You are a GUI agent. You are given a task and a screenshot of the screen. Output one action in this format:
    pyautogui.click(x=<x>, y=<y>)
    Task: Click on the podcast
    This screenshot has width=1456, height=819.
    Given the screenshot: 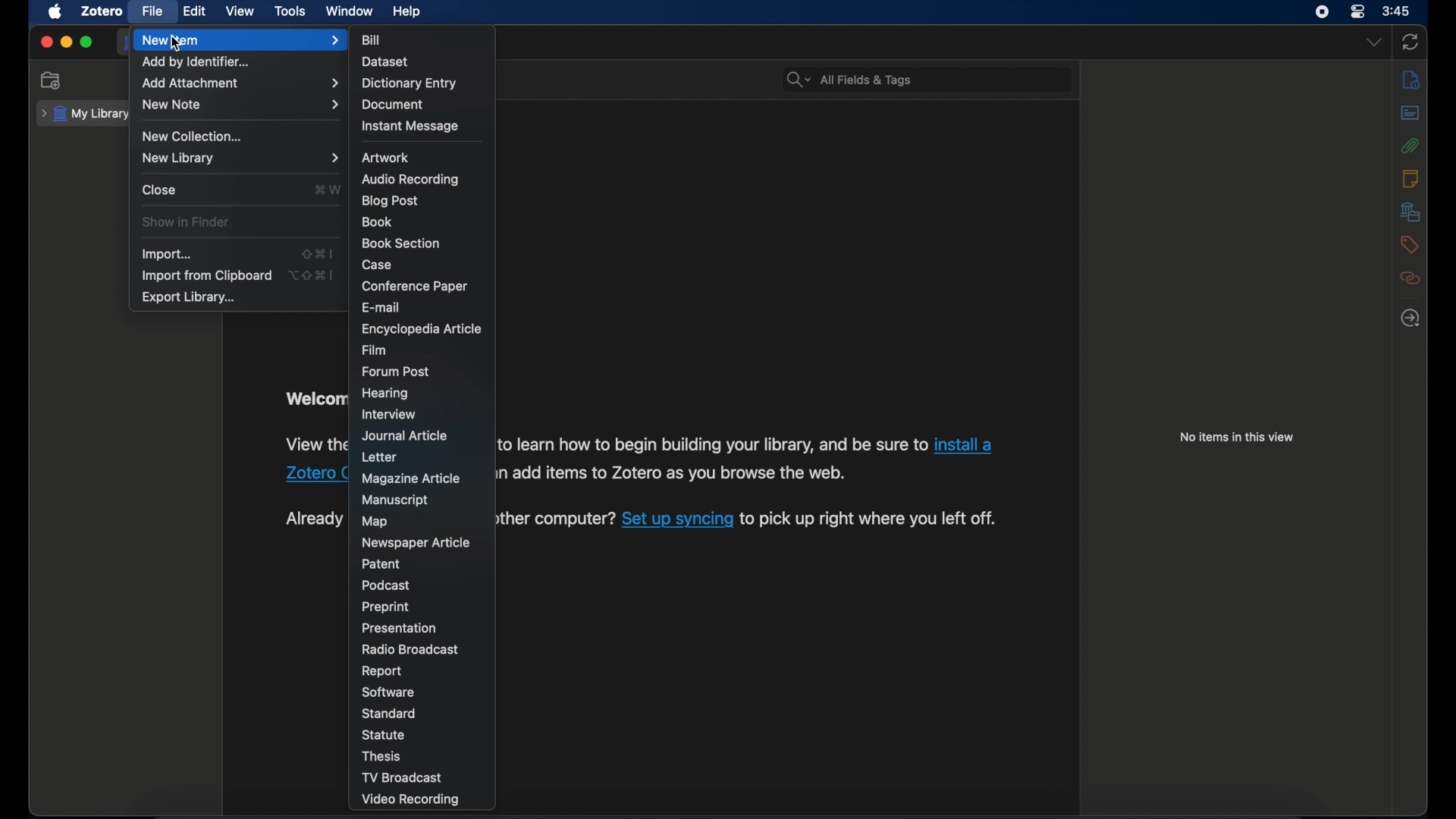 What is the action you would take?
    pyautogui.click(x=390, y=584)
    